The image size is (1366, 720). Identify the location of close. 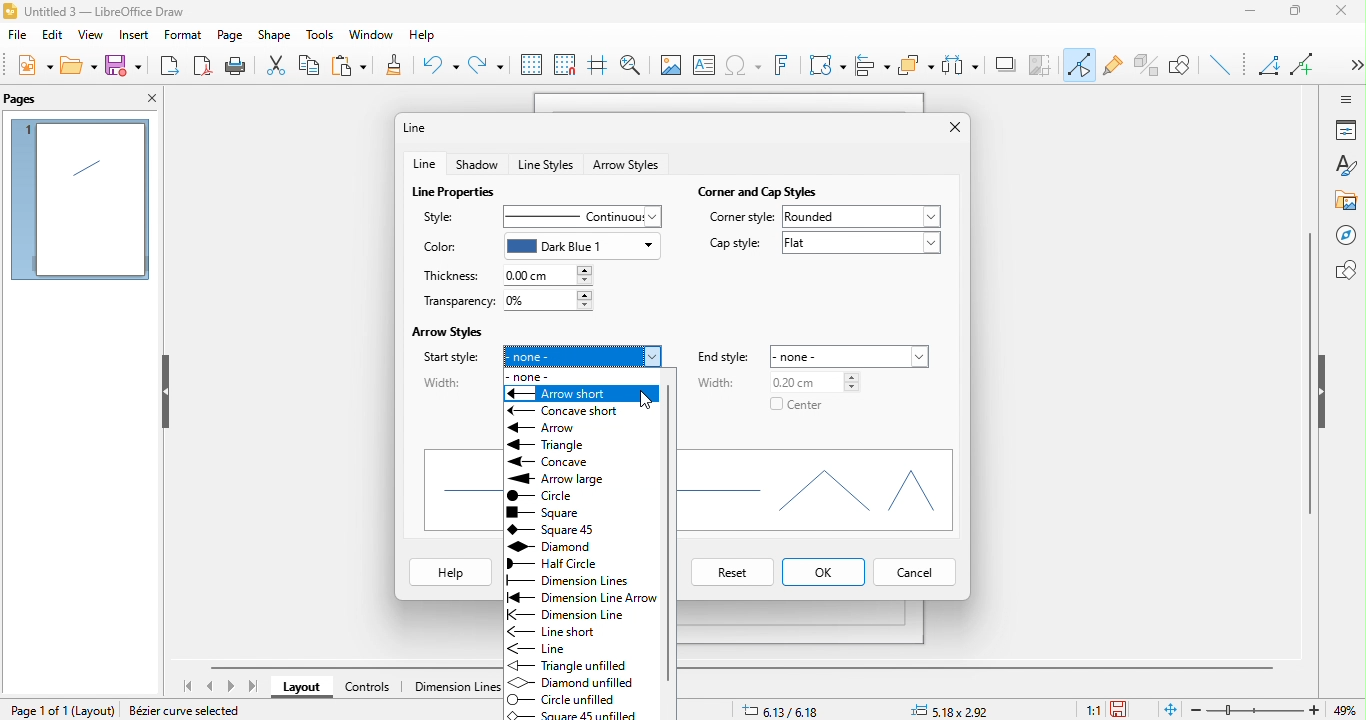
(149, 100).